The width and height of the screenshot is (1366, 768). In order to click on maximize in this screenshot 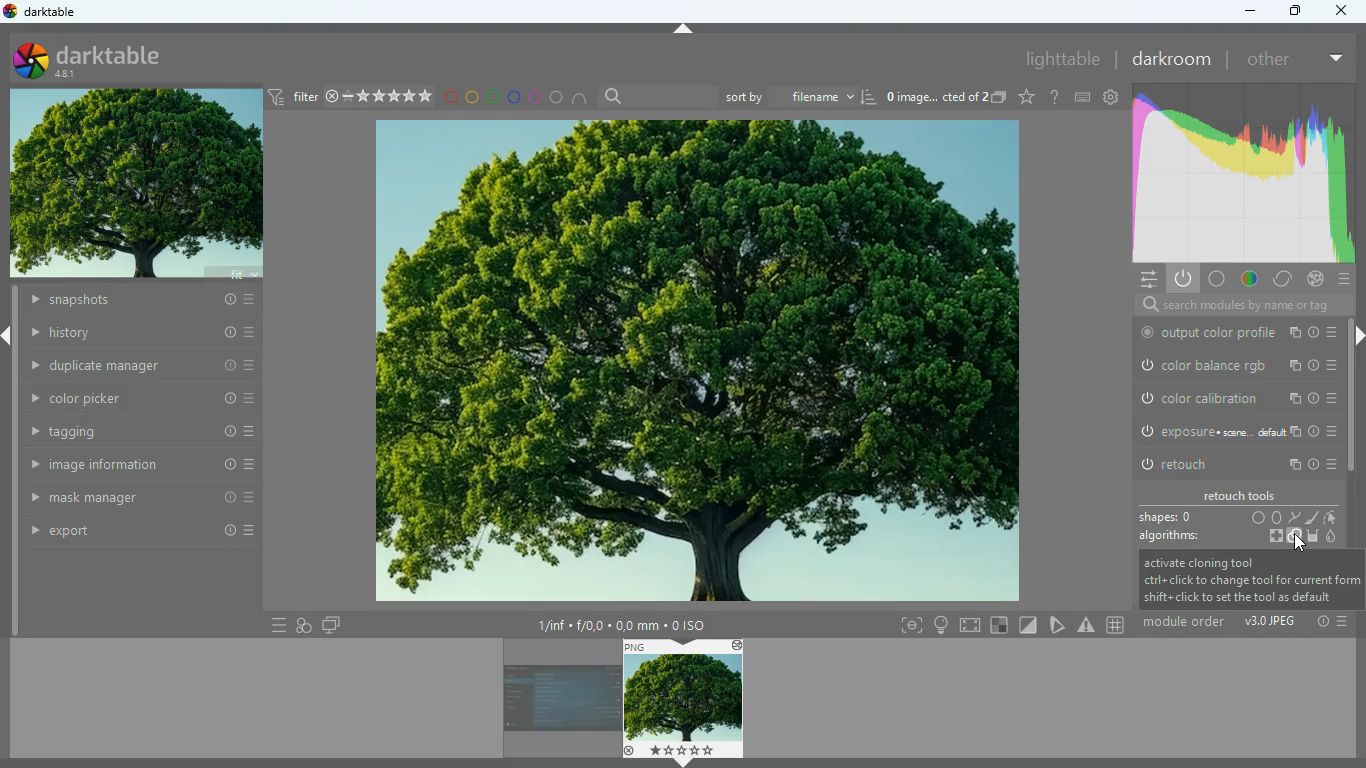, I will do `click(1294, 11)`.